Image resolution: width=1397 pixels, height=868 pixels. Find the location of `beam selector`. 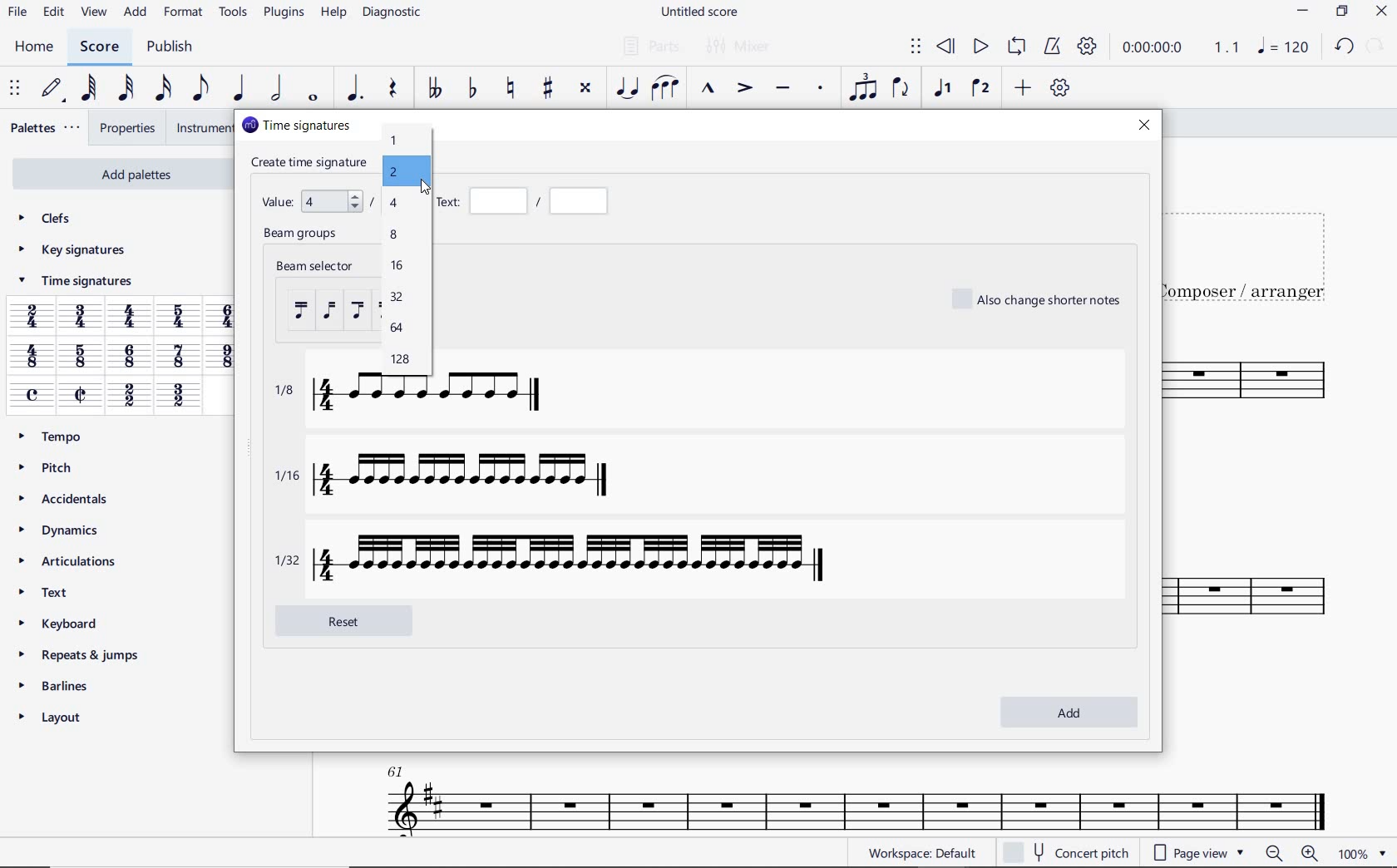

beam selector is located at coordinates (317, 300).